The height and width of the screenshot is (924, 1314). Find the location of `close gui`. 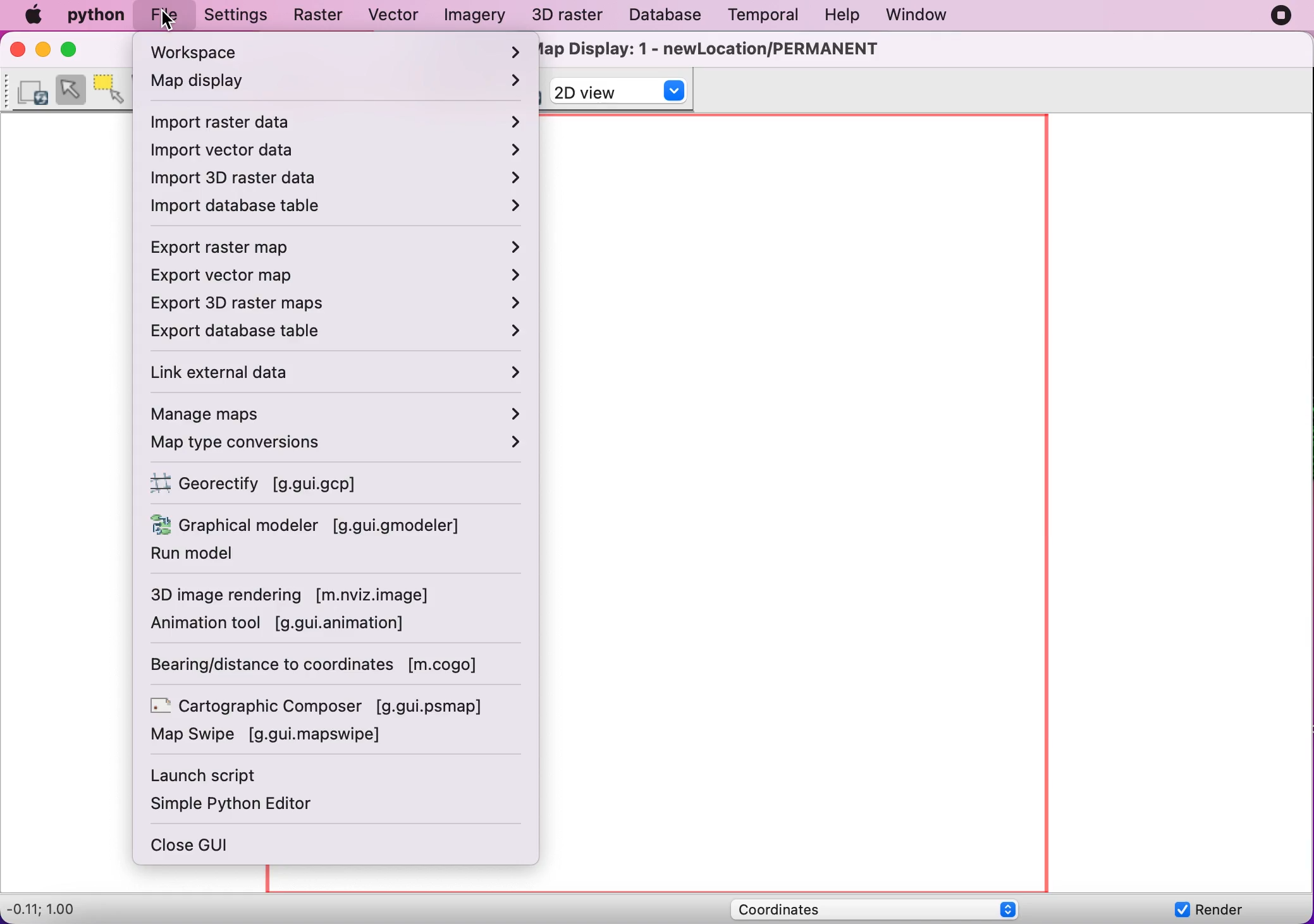

close gui is located at coordinates (206, 846).